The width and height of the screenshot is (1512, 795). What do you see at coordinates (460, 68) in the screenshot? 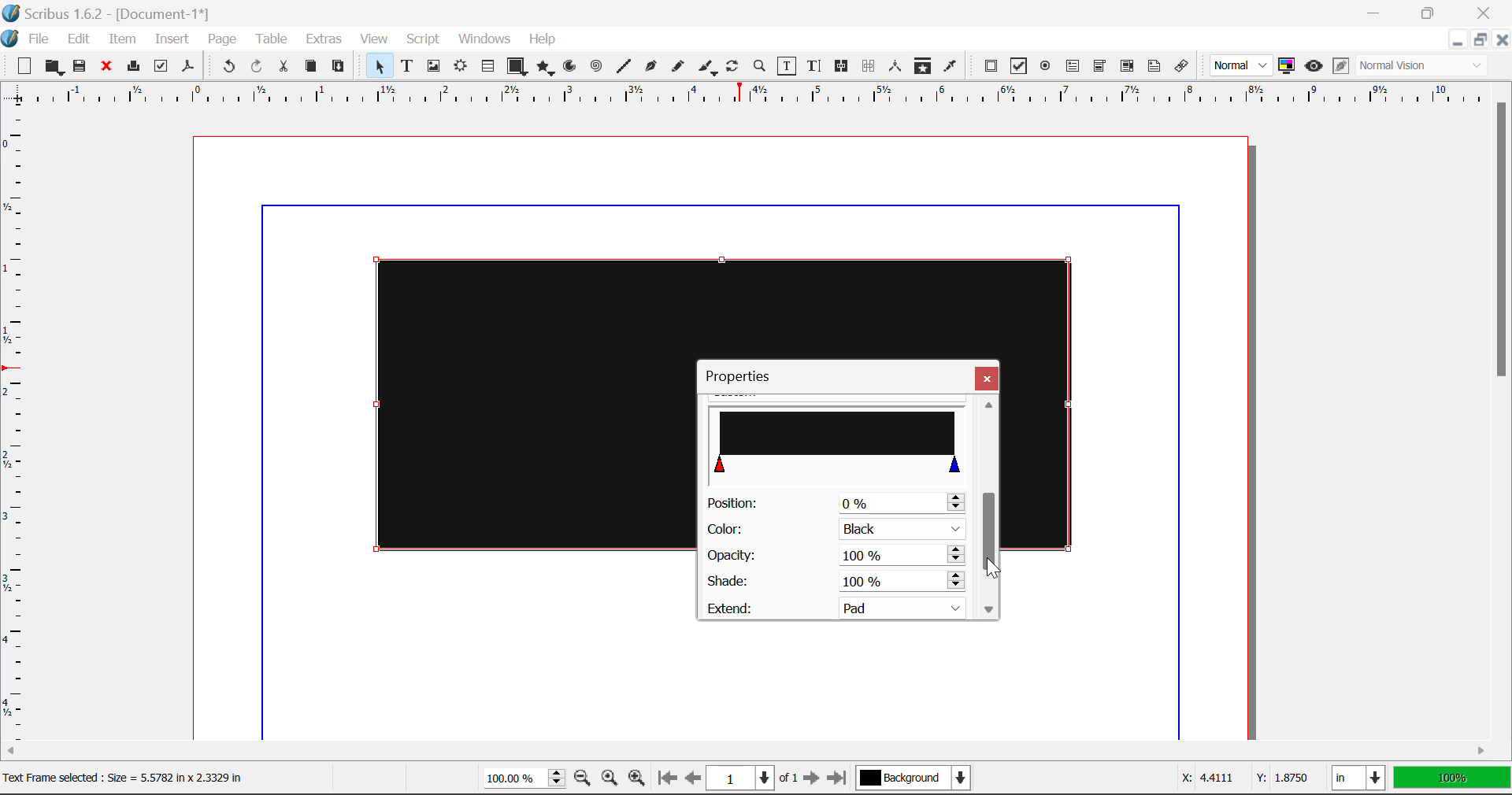
I see `Render Frame` at bounding box center [460, 68].